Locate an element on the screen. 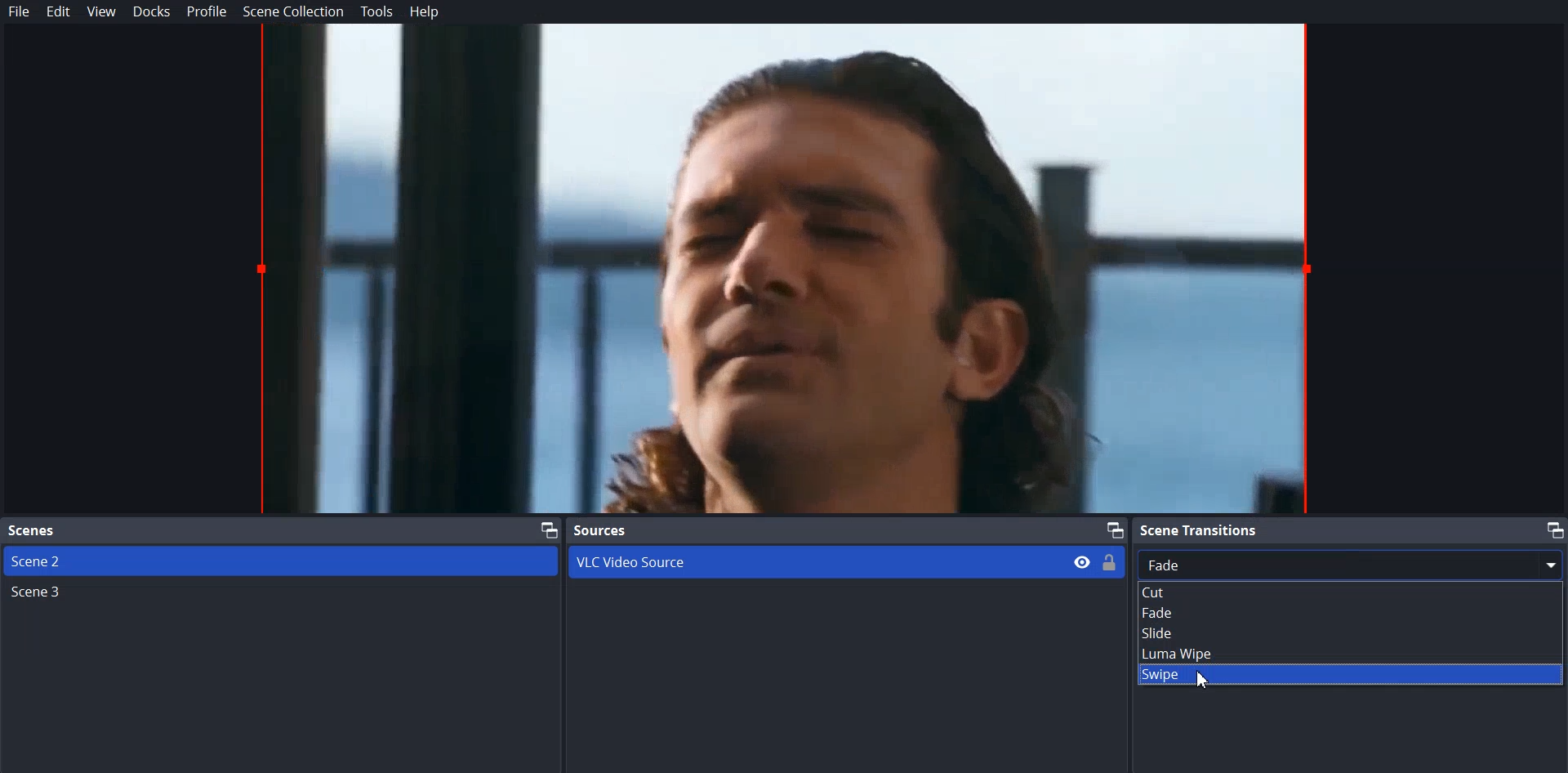 The height and width of the screenshot is (773, 1568). Source file preview is located at coordinates (782, 270).